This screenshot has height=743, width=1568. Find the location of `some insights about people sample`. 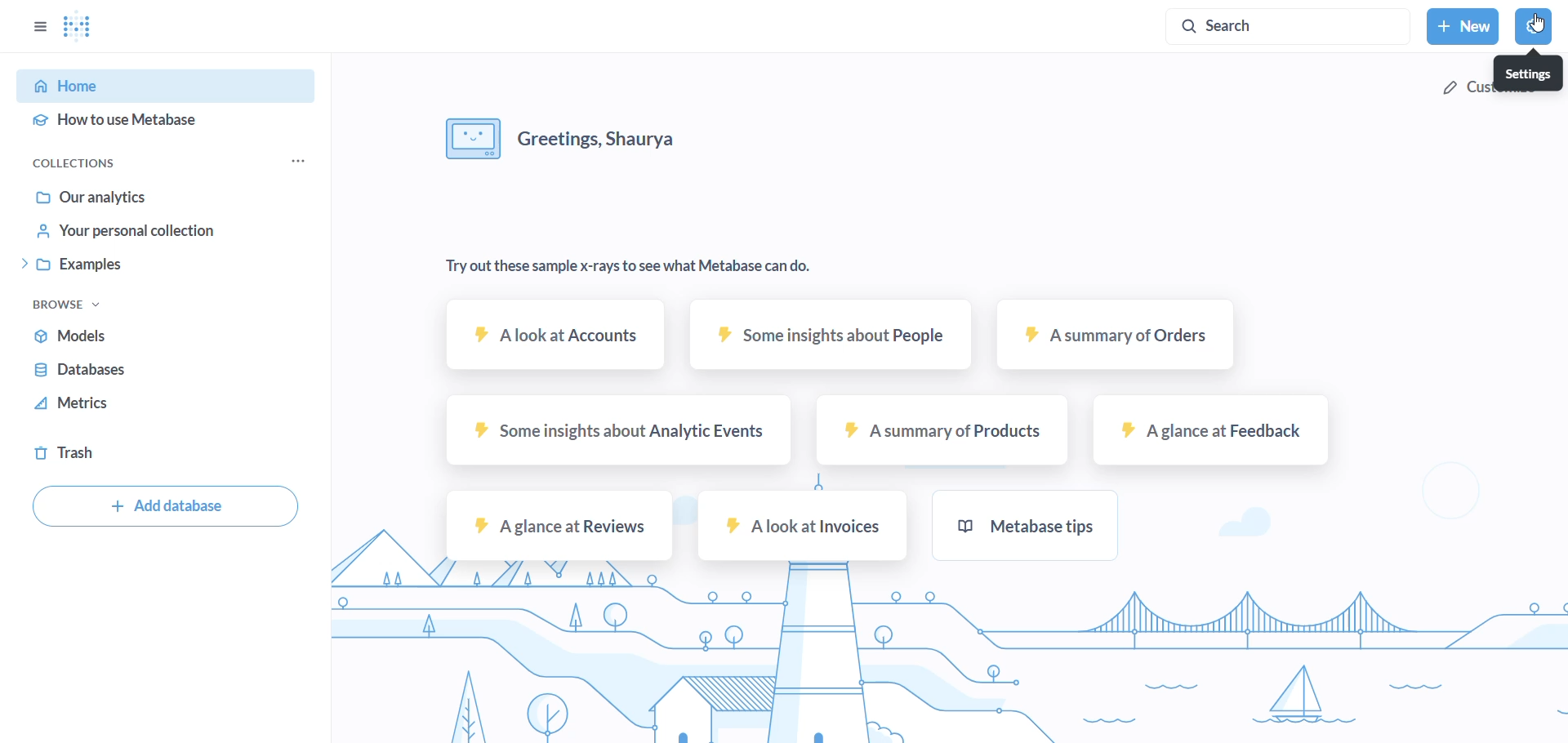

some insights about people sample is located at coordinates (826, 336).